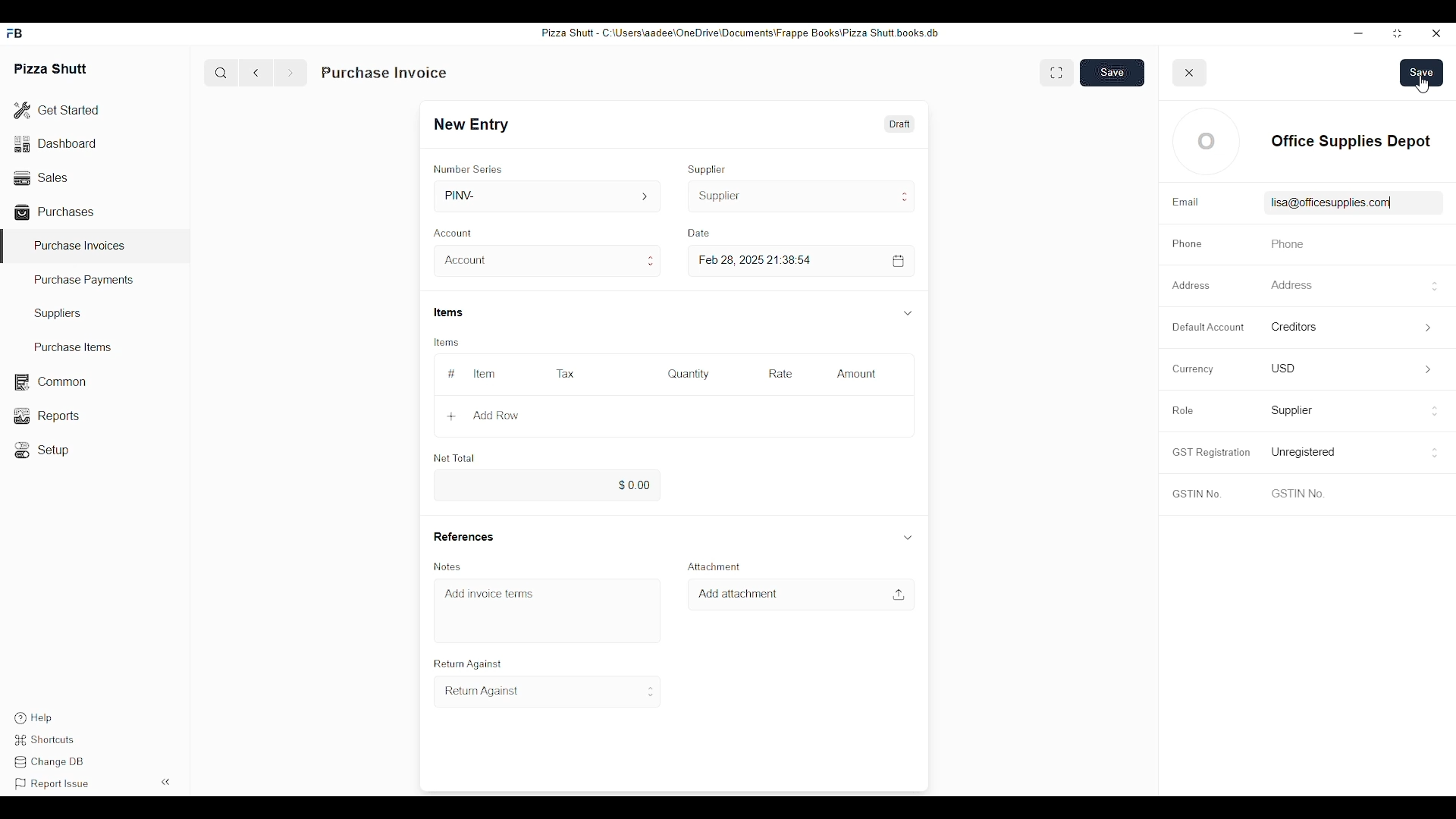 The width and height of the screenshot is (1456, 819). What do you see at coordinates (780, 374) in the screenshot?
I see `Rate` at bounding box center [780, 374].